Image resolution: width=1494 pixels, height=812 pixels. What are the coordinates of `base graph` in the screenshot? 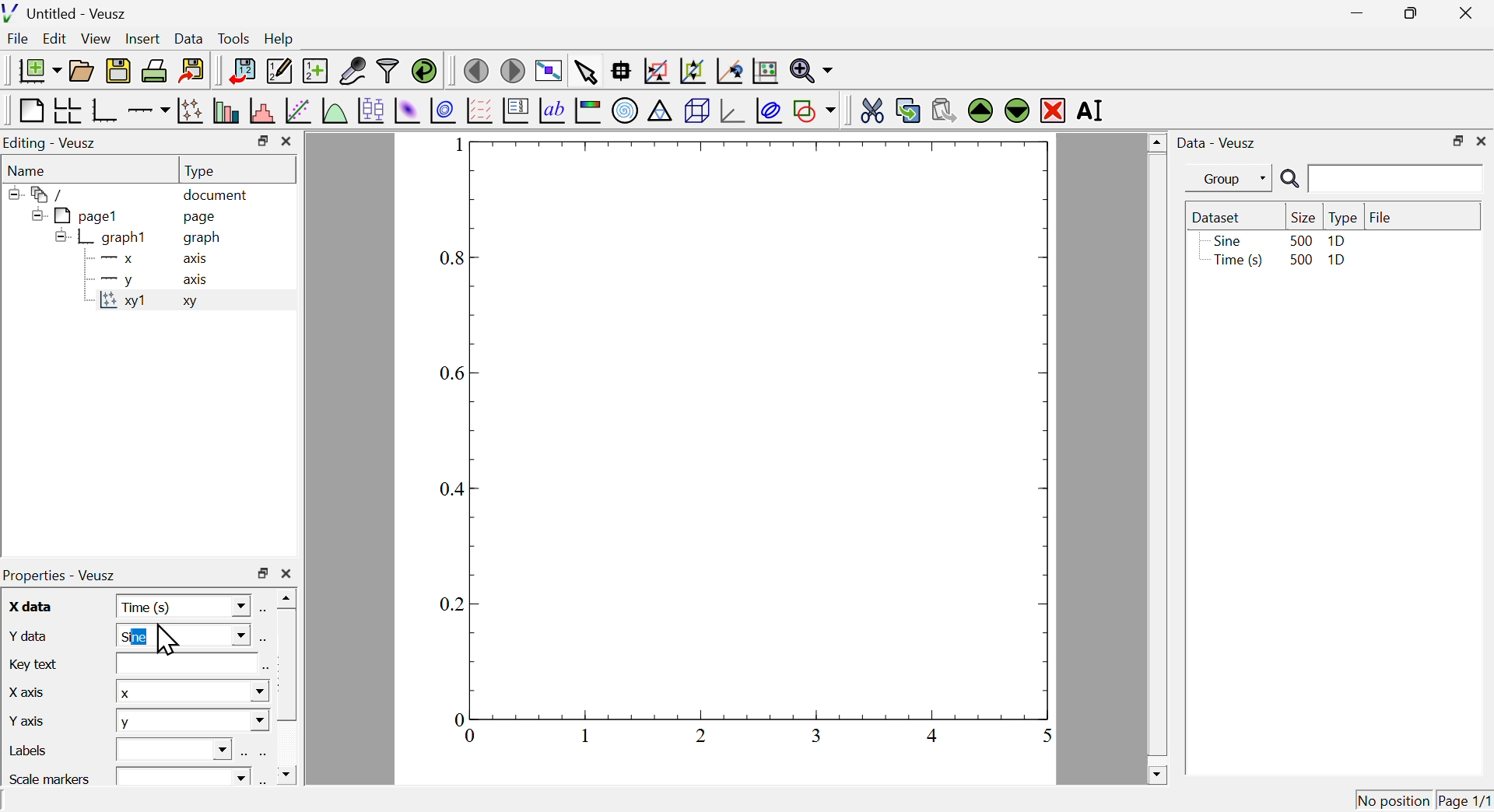 It's located at (105, 110).